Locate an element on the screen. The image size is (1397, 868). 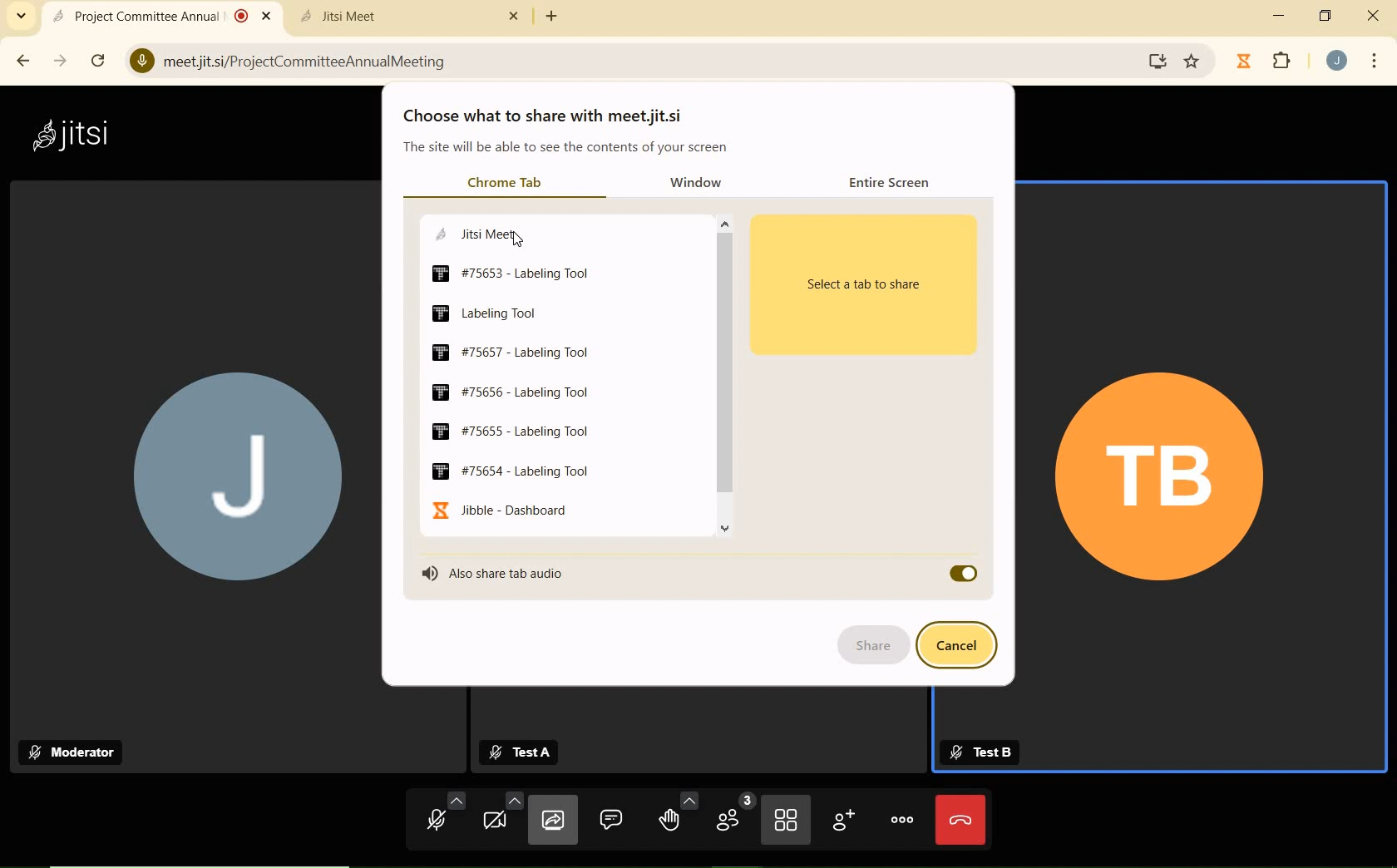
Moderator is located at coordinates (76, 752).